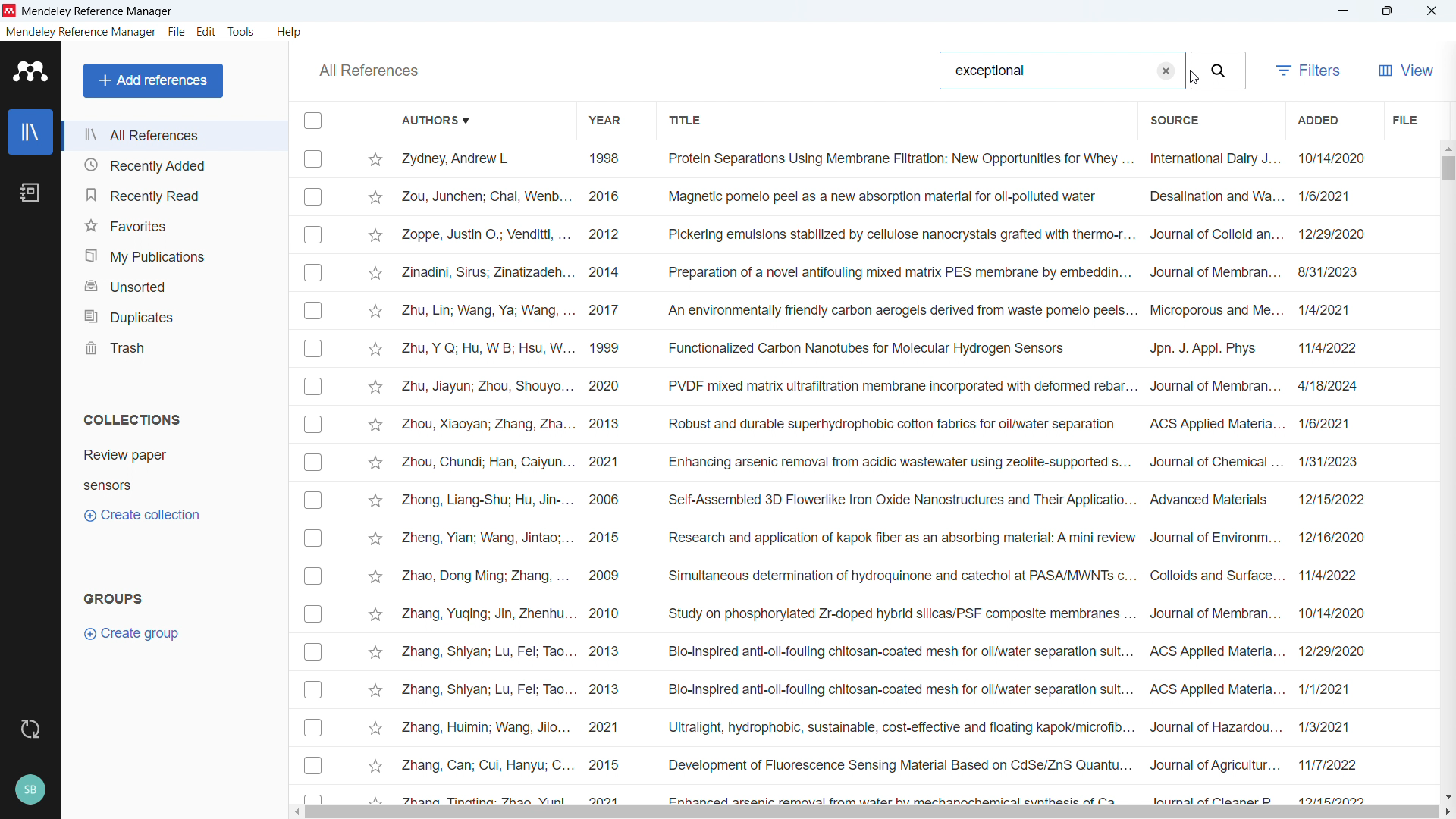  I want to click on Short by date added , so click(1316, 119).